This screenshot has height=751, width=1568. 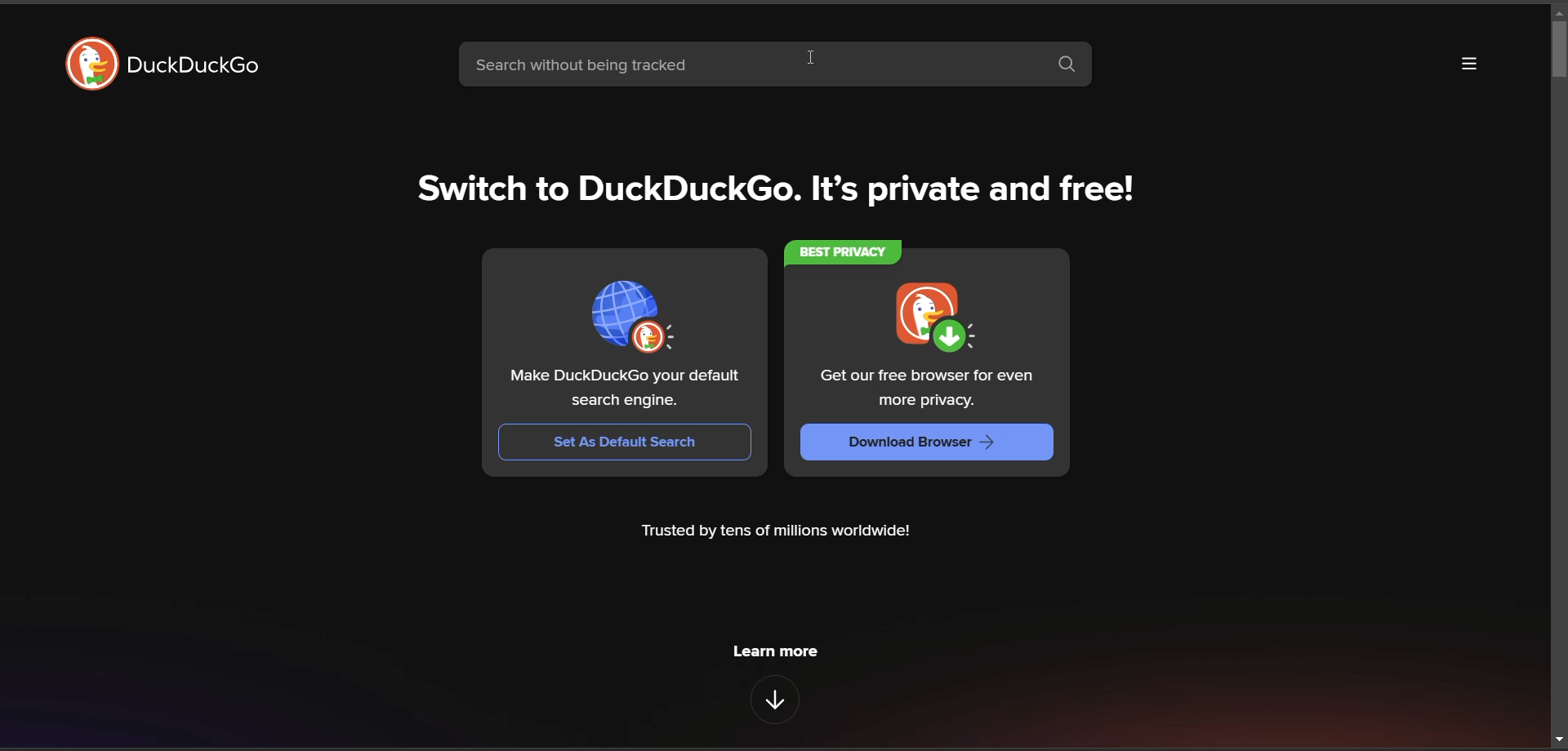 I want to click on learn more, so click(x=777, y=650).